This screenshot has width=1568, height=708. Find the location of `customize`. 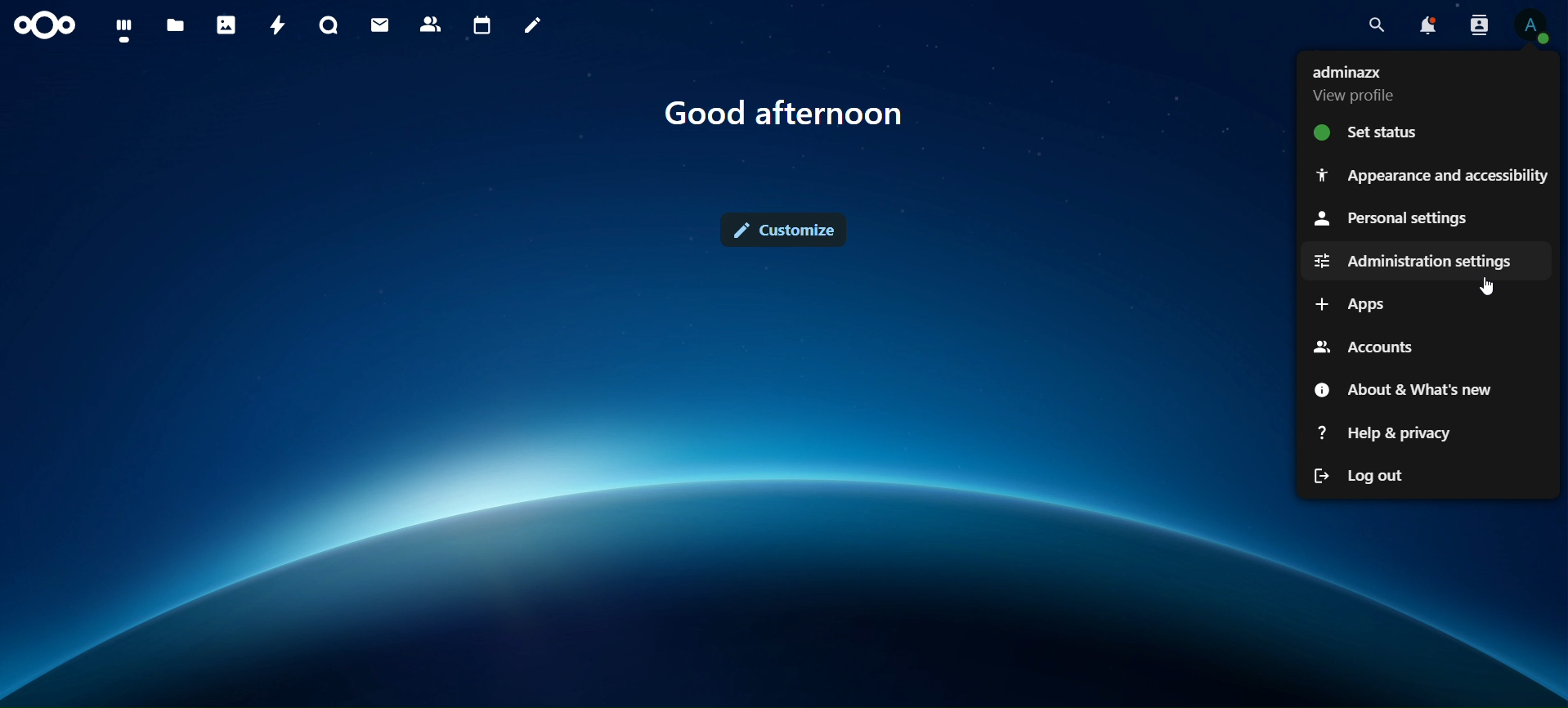

customize is located at coordinates (788, 230).